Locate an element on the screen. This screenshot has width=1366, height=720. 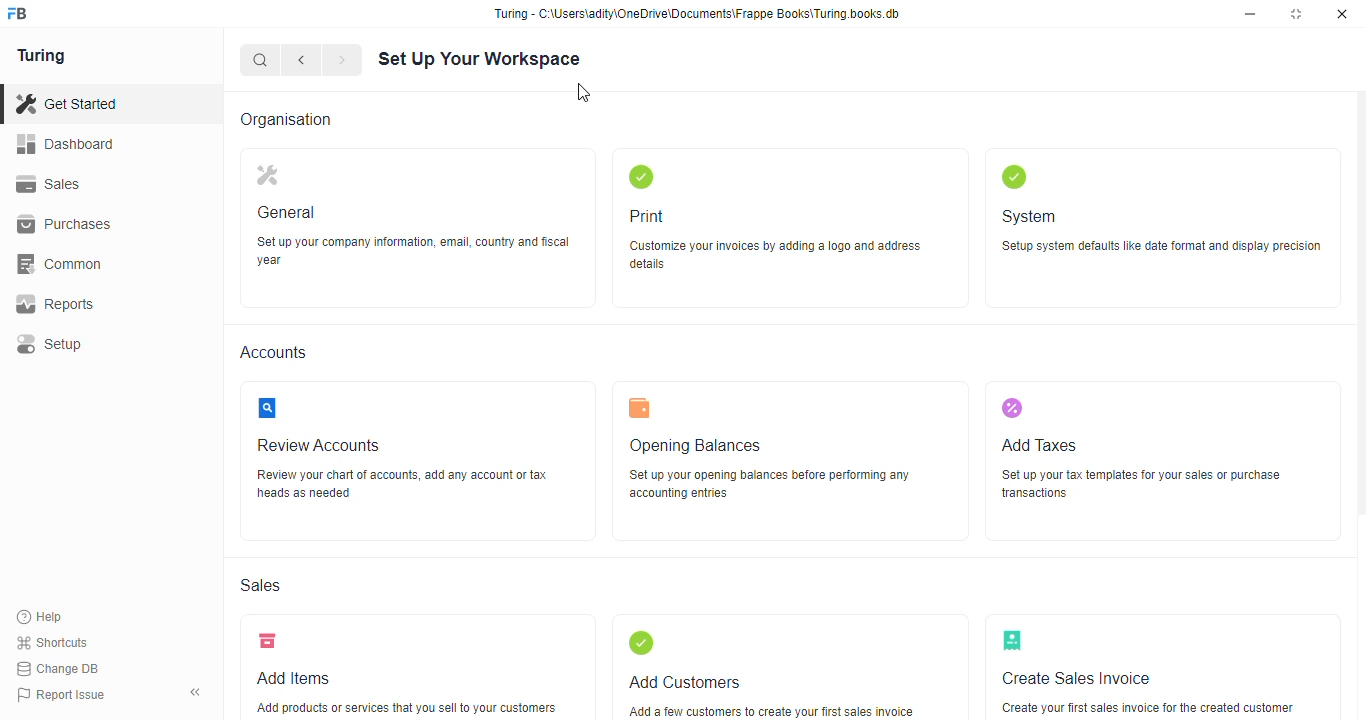
Turing is located at coordinates (47, 56).